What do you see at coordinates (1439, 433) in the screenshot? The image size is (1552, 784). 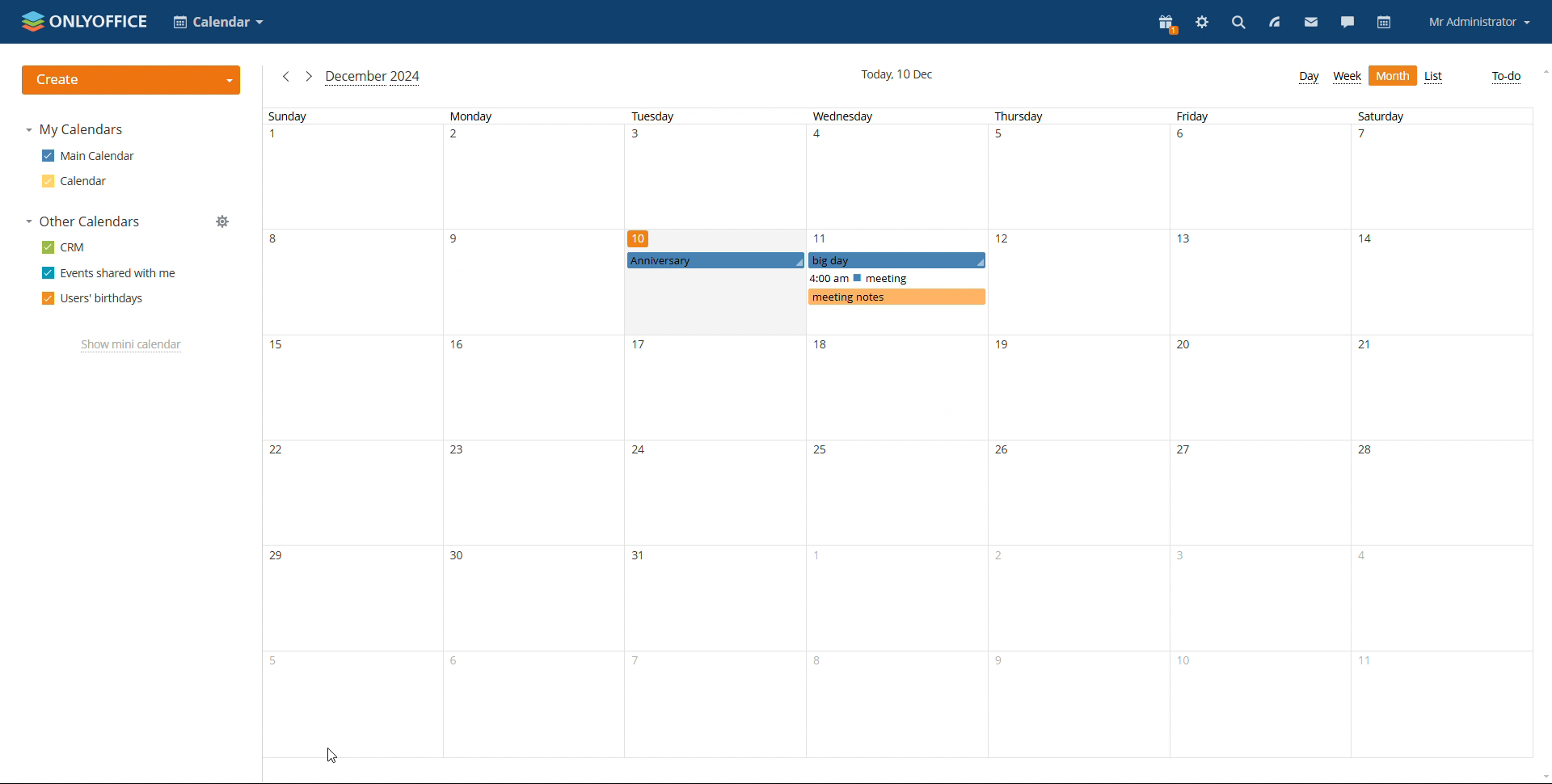 I see `saturday` at bounding box center [1439, 433].